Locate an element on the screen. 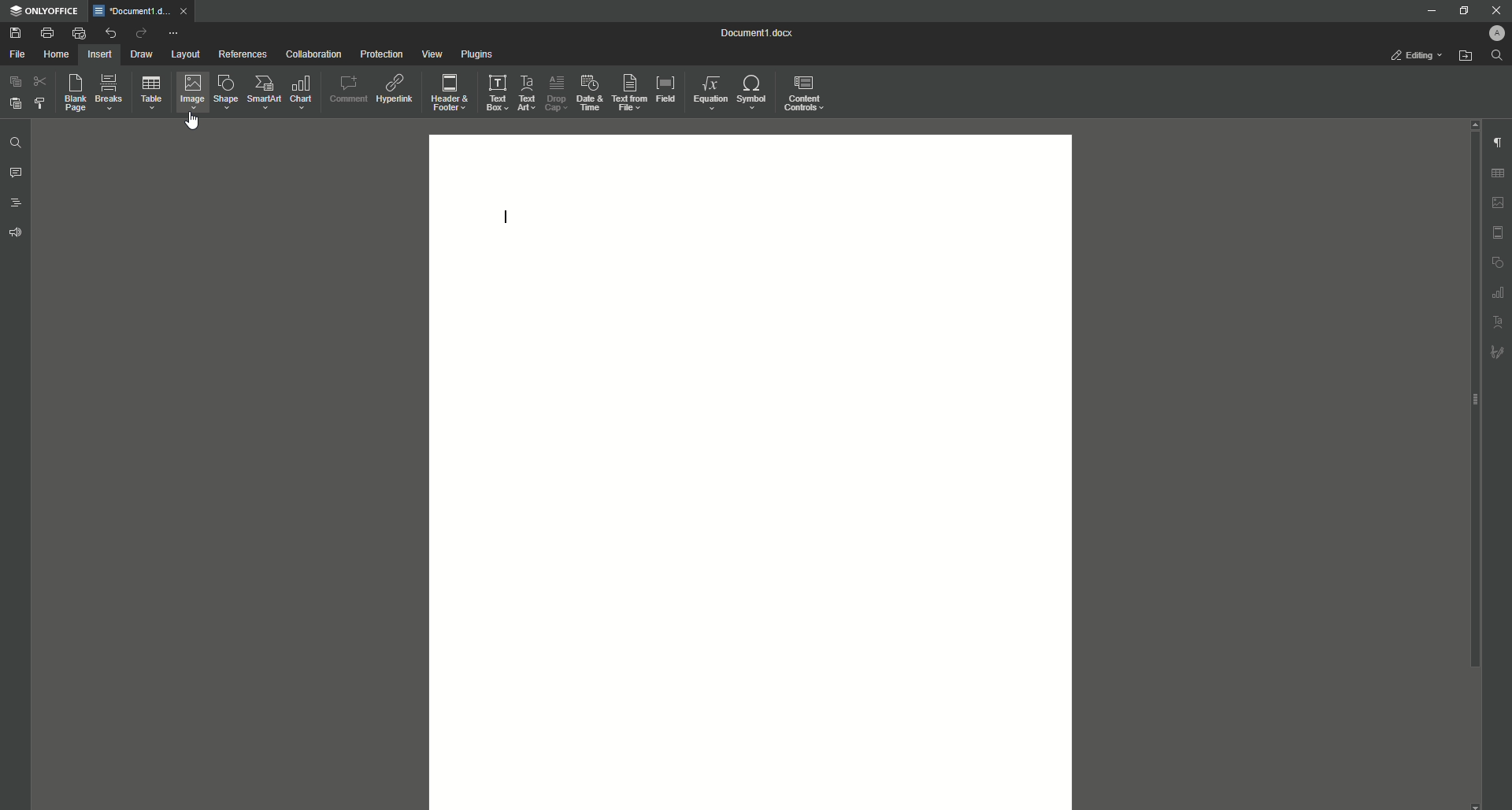 This screenshot has height=810, width=1512. Layout is located at coordinates (186, 55).